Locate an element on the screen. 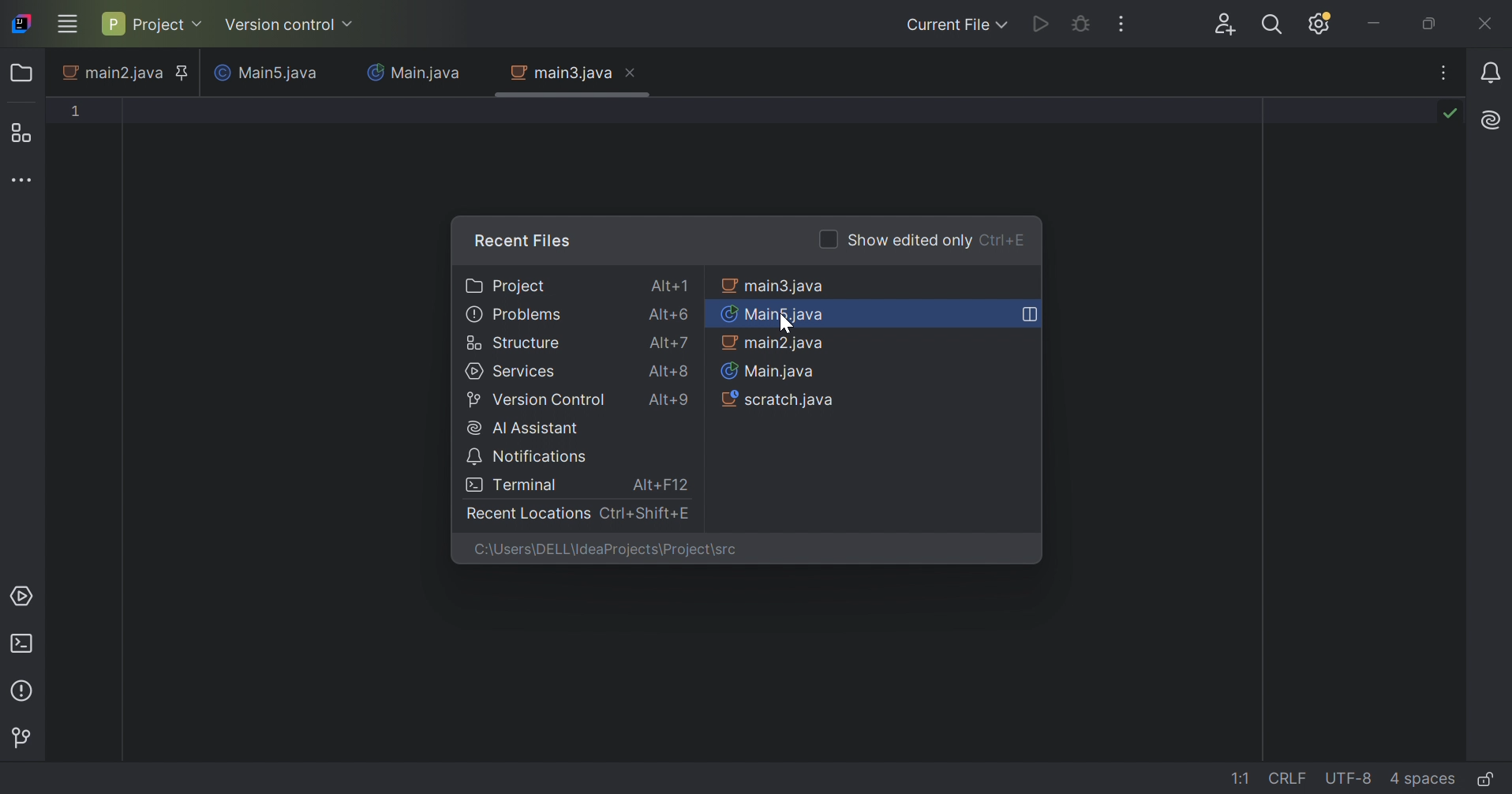 This screenshot has height=794, width=1512. Ctrl+E is located at coordinates (1005, 242).